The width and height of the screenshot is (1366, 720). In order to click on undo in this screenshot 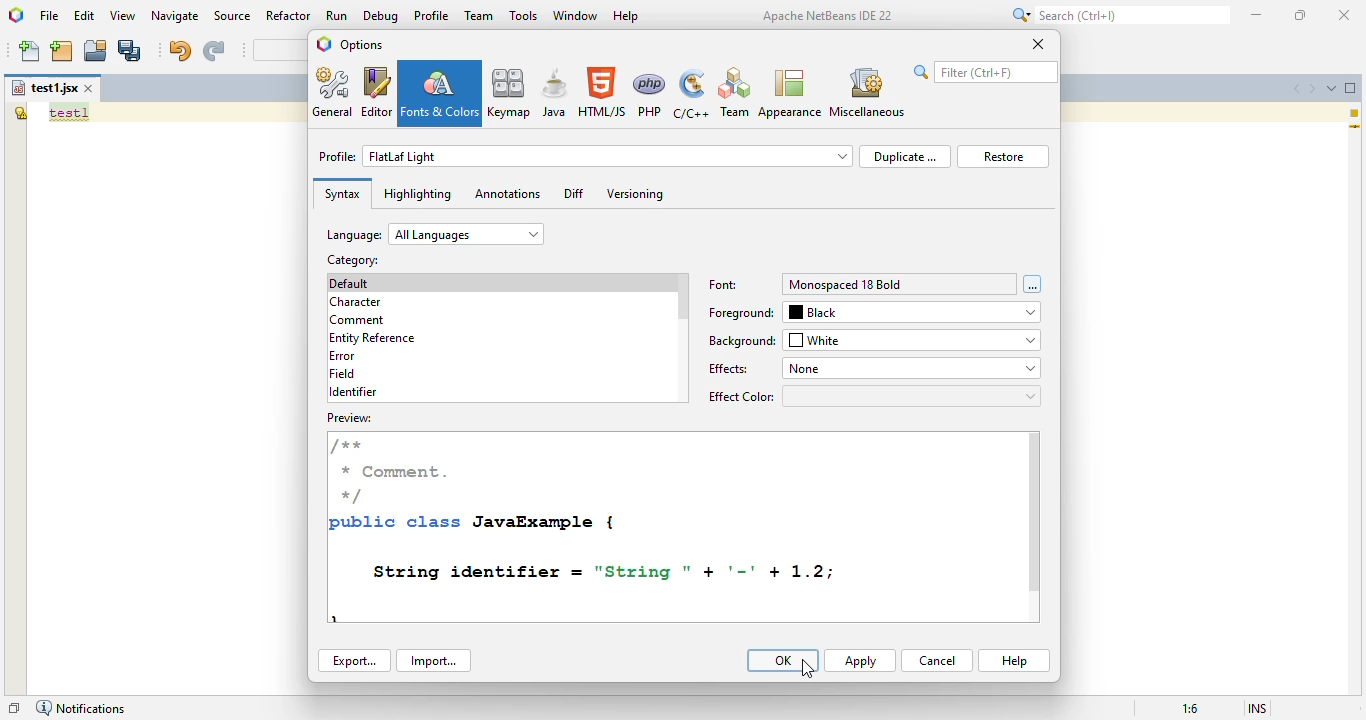, I will do `click(179, 50)`.